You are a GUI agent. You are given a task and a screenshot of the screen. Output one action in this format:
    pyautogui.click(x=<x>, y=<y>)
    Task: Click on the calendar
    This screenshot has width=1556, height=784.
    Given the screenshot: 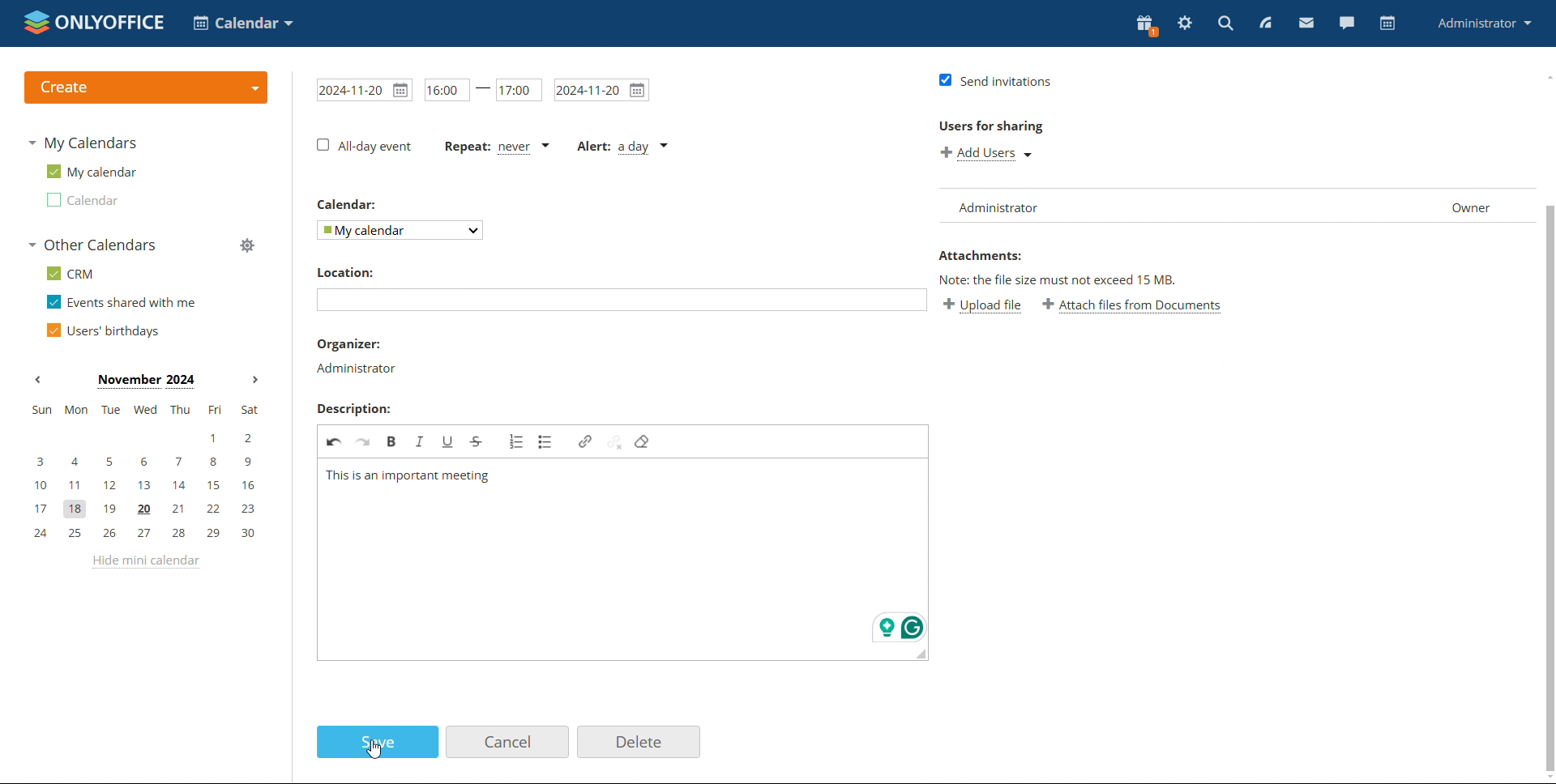 What is the action you would take?
    pyautogui.click(x=82, y=200)
    